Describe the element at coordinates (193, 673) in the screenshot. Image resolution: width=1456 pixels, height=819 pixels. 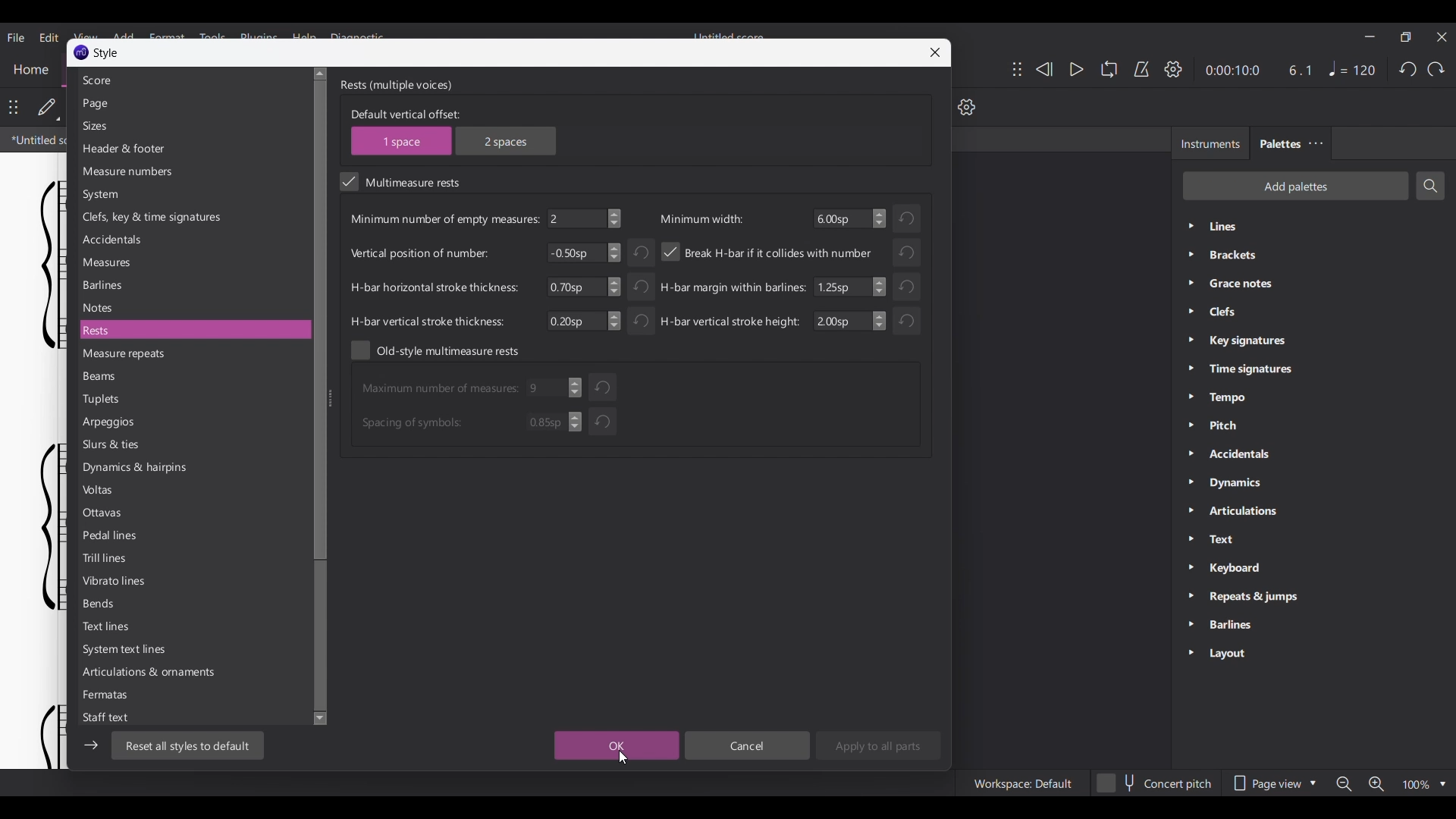
I see `Articulations and ornaments` at that location.